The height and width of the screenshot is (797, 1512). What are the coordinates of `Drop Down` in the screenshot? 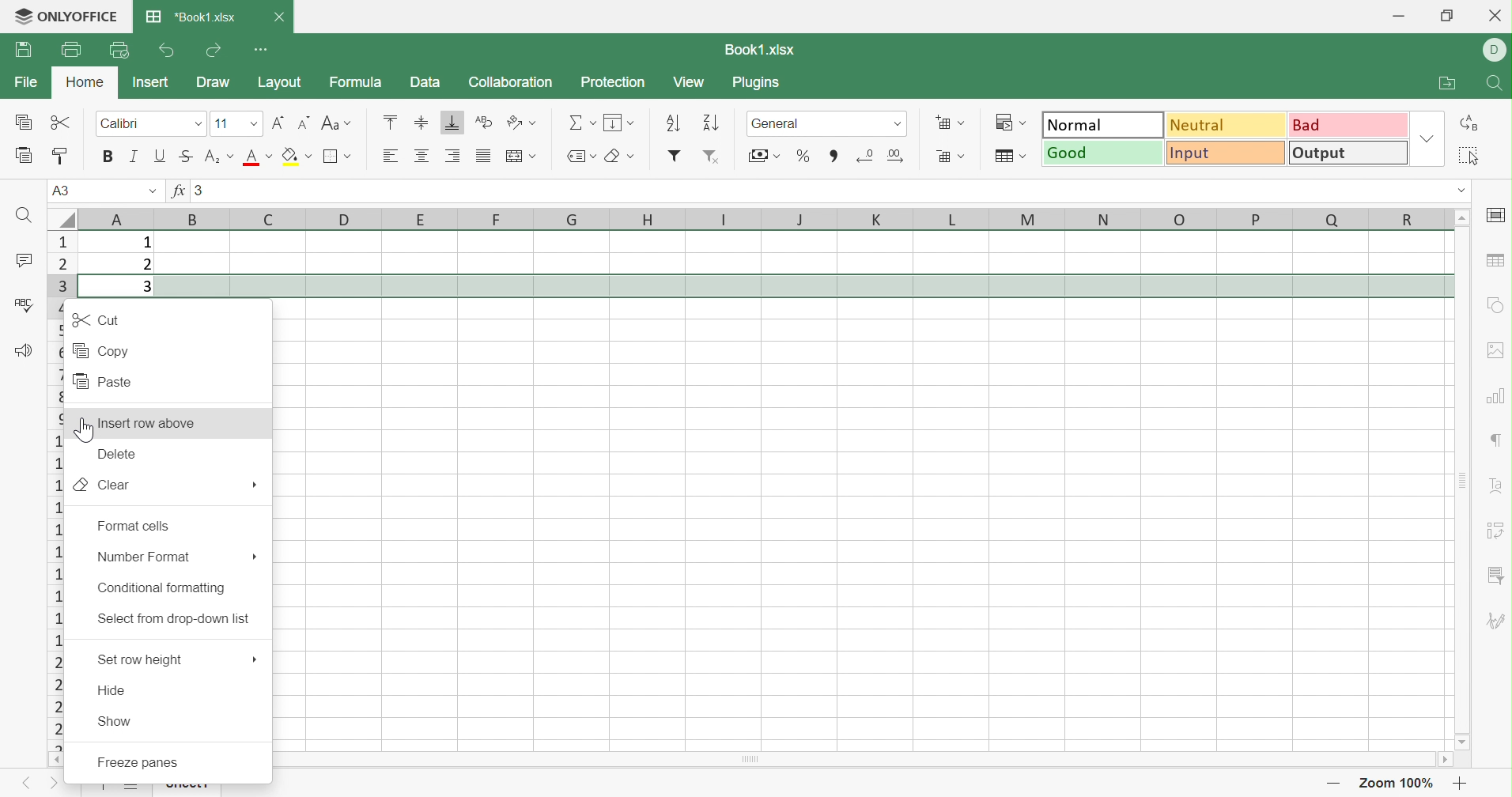 It's located at (633, 123).